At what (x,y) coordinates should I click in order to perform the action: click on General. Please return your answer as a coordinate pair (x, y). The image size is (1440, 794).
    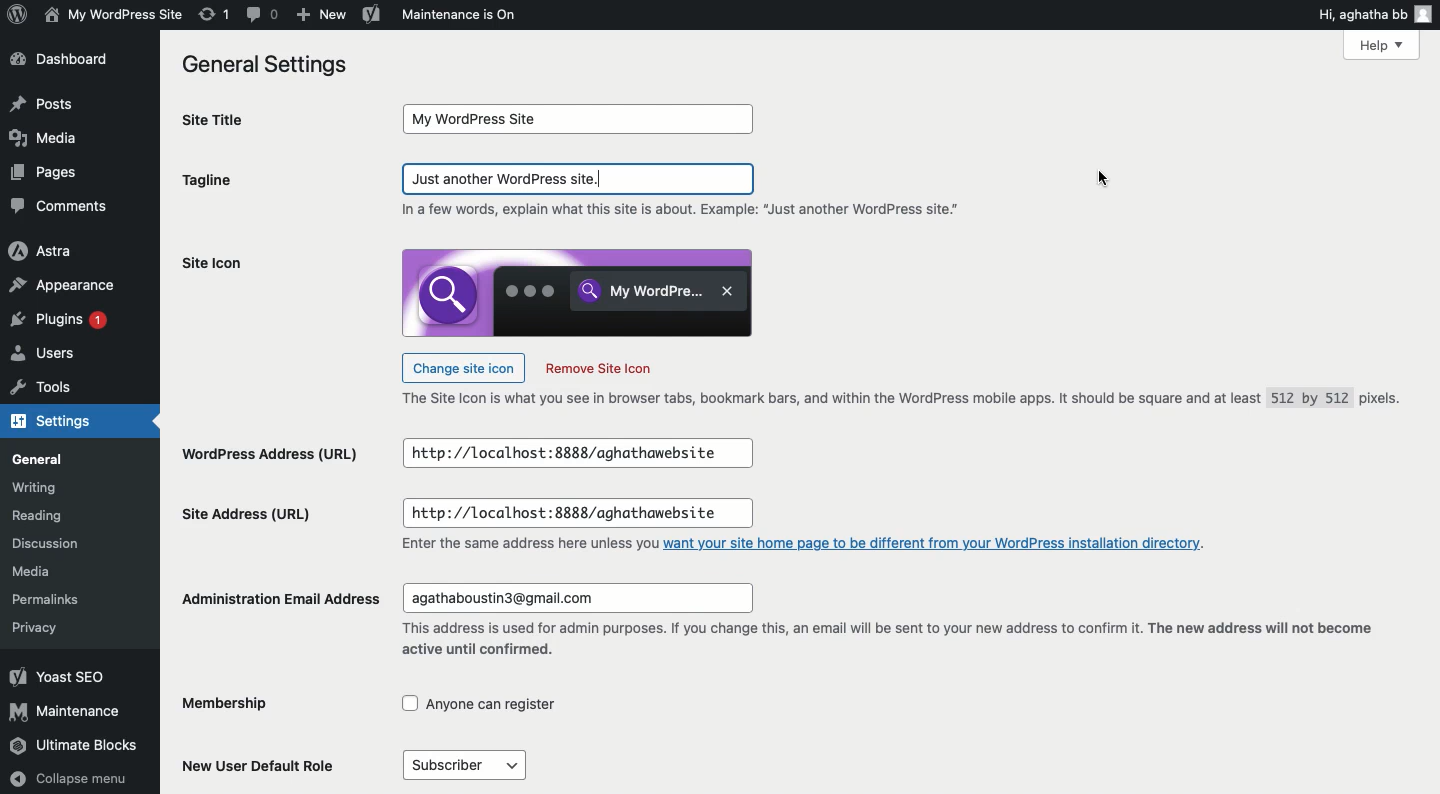
    Looking at the image, I should click on (42, 460).